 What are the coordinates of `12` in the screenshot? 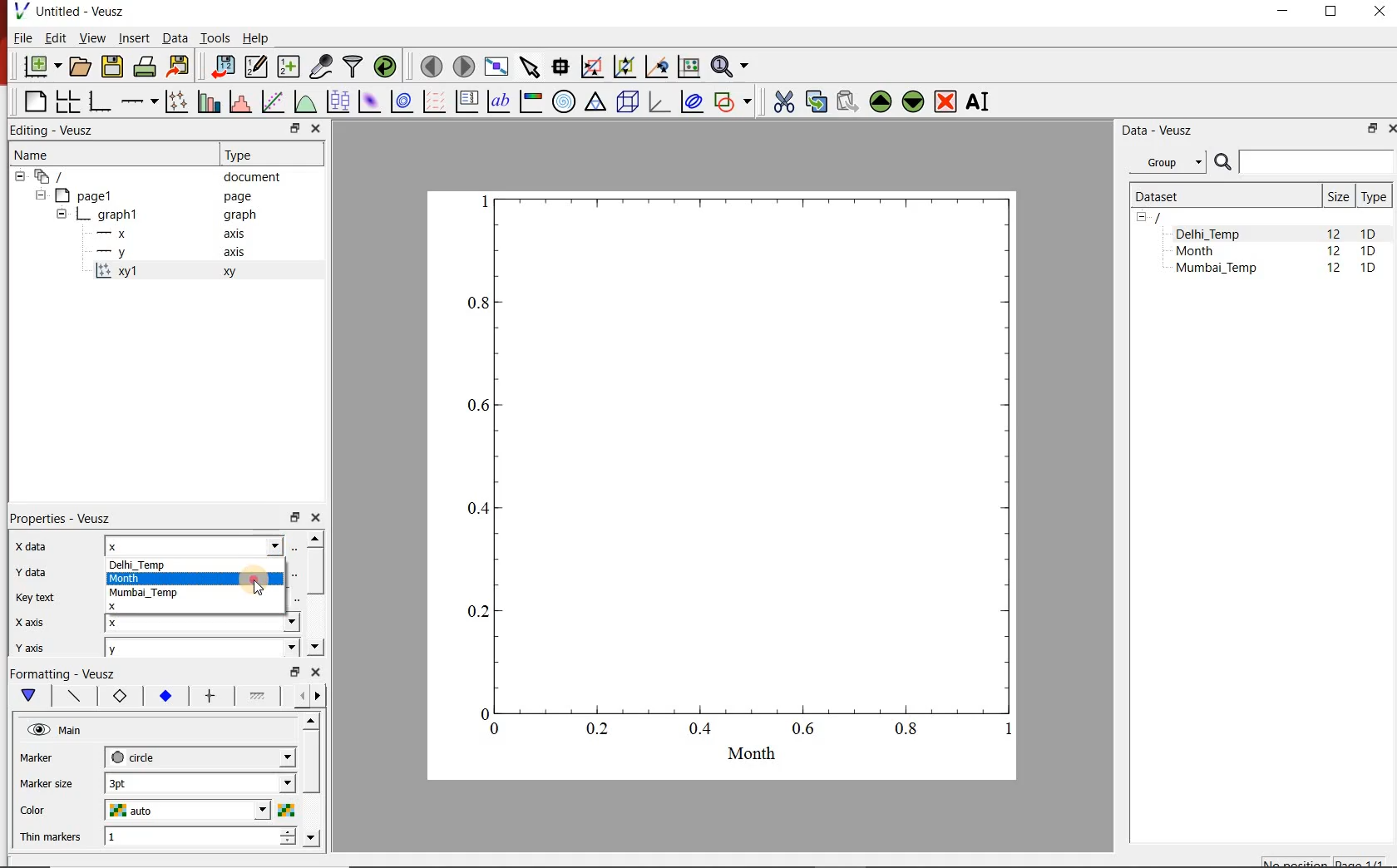 It's located at (1334, 253).